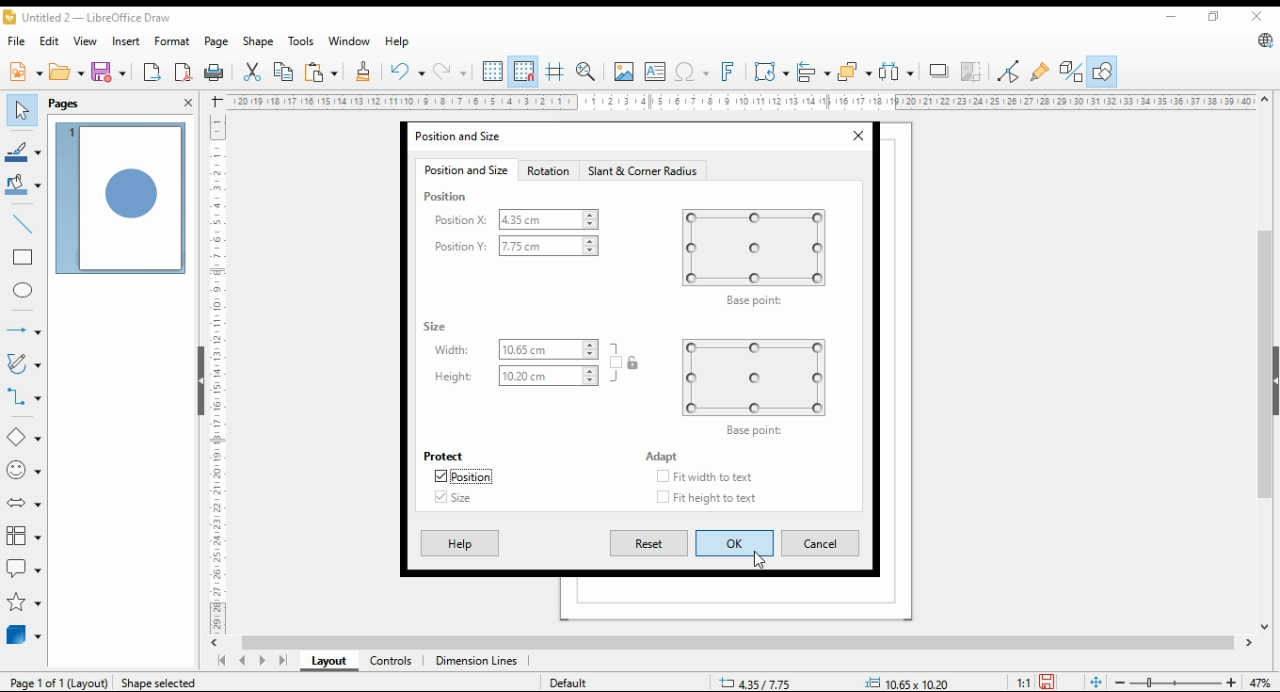 Image resolution: width=1280 pixels, height=692 pixels. I want to click on first page, so click(224, 660).